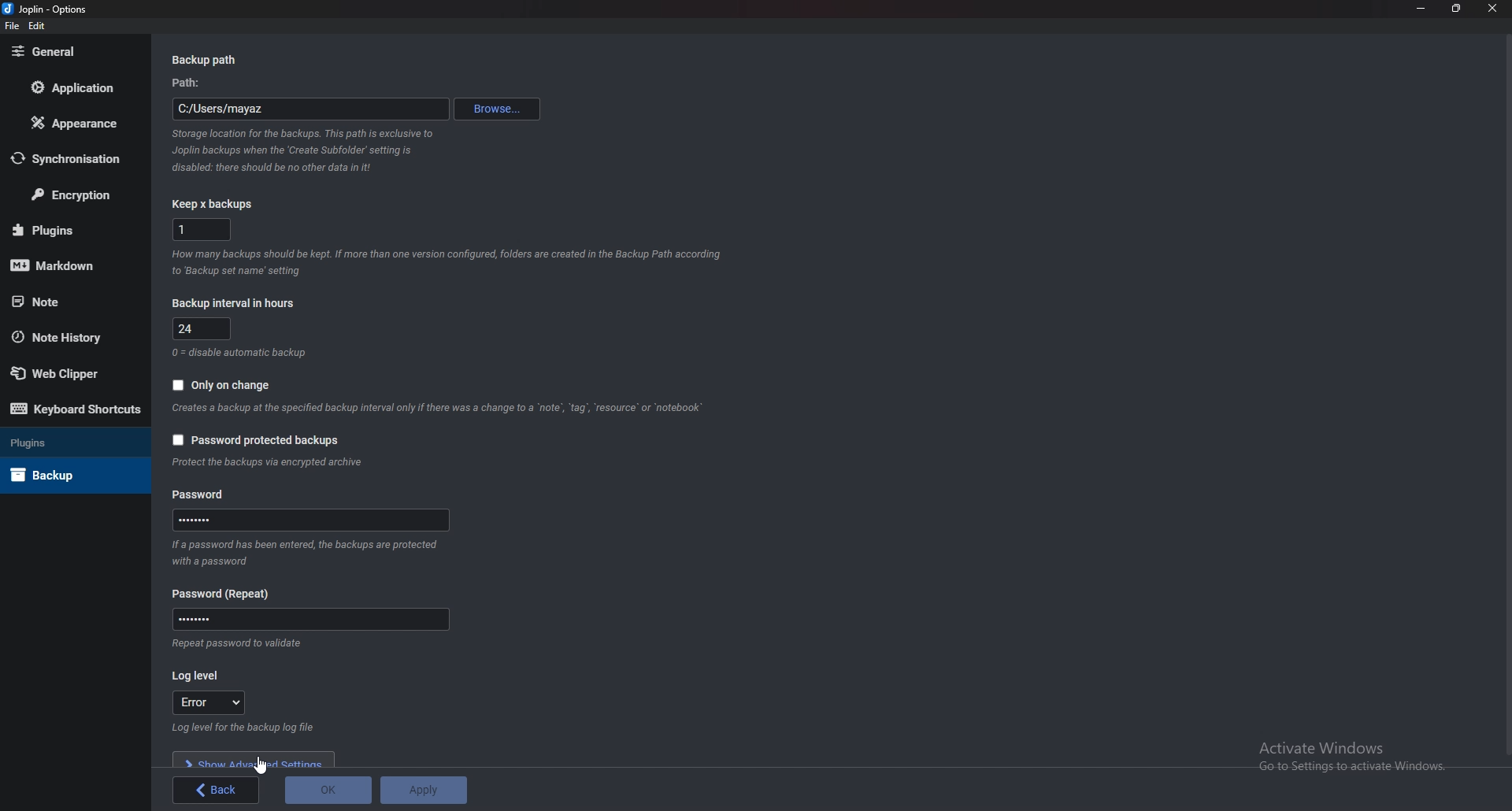 Image resolution: width=1512 pixels, height=811 pixels. I want to click on info, so click(241, 729).